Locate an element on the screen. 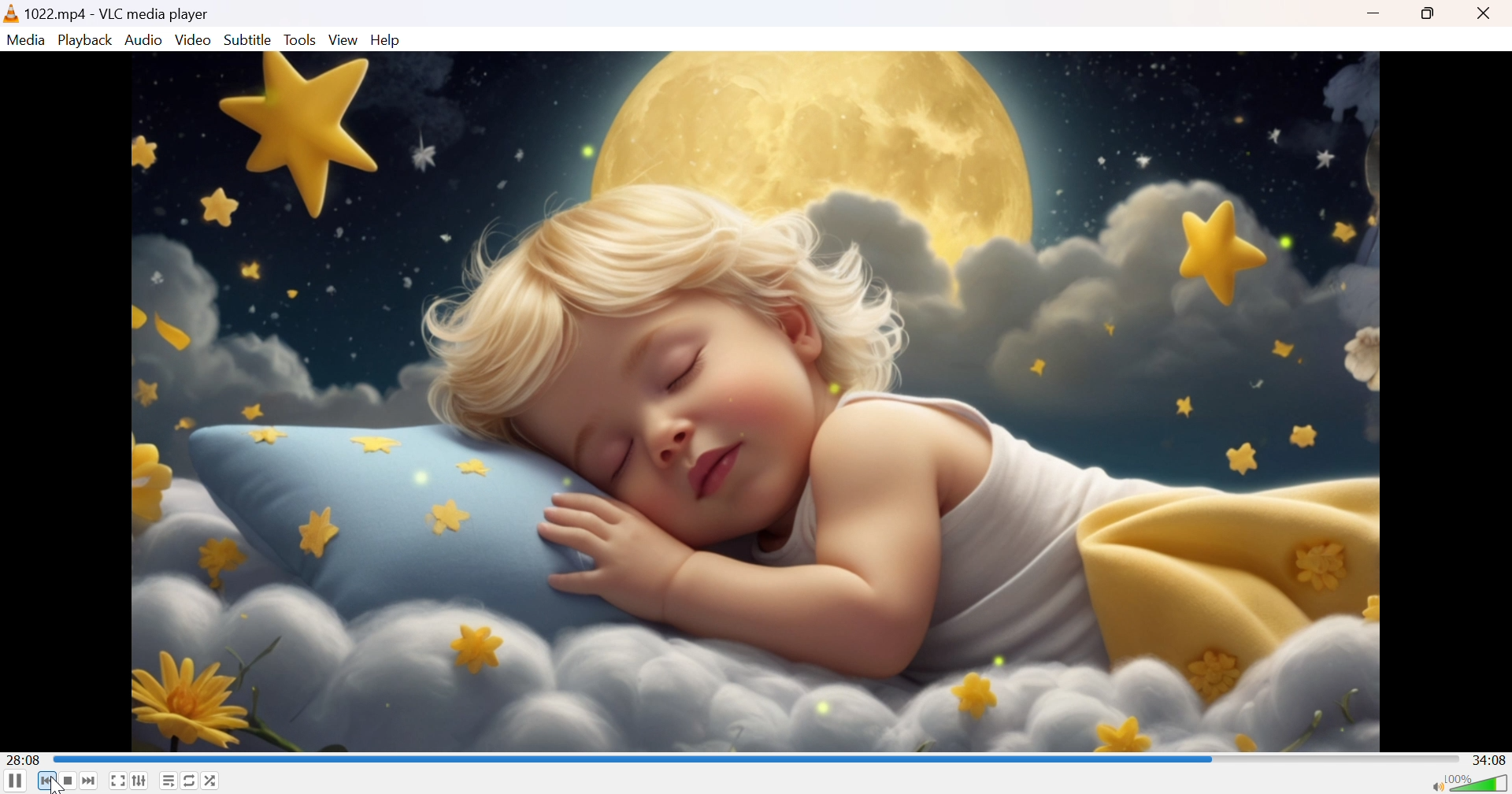  Volume is located at coordinates (1479, 781).